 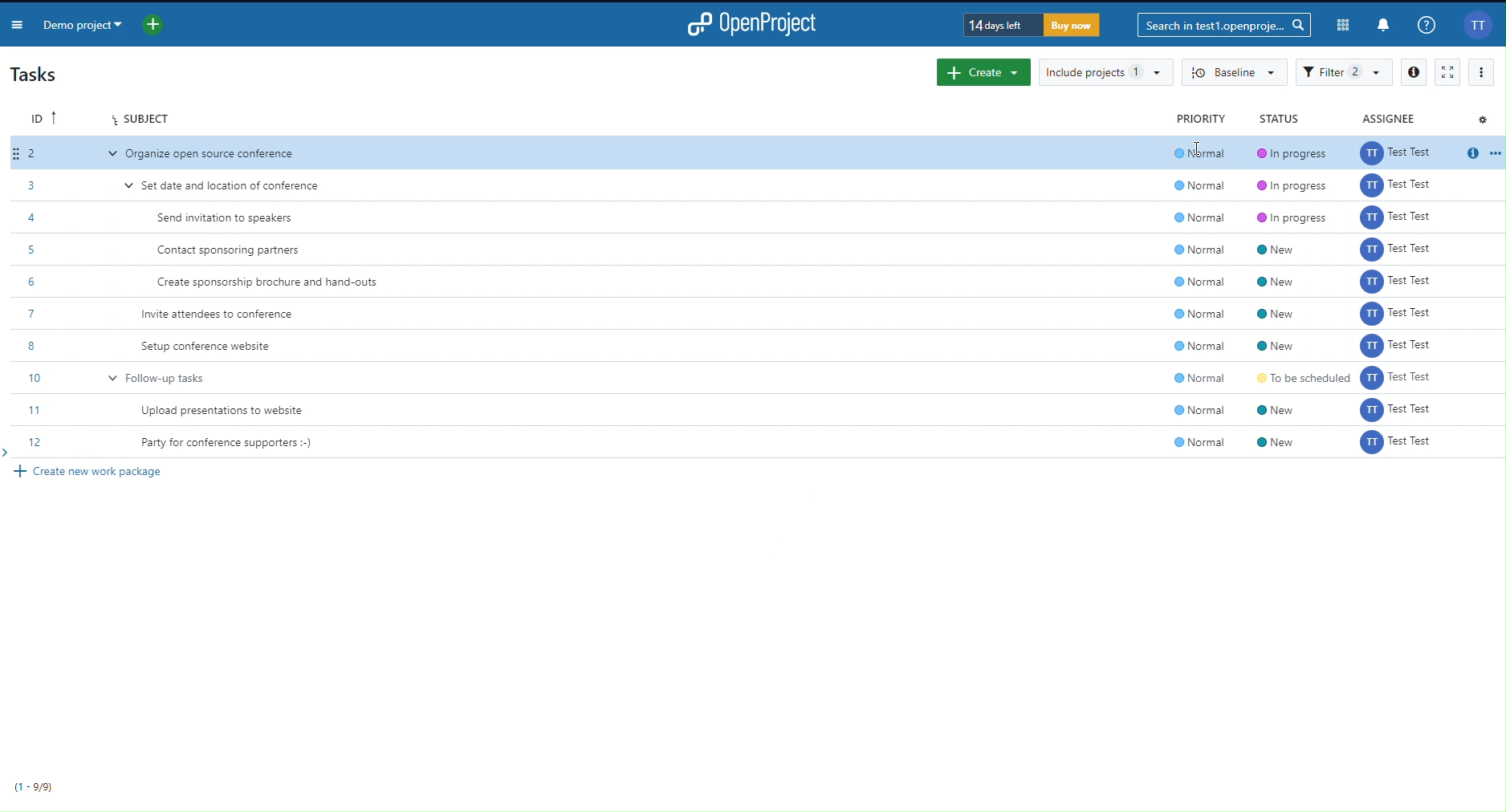 I want to click on a Send invitation to speakers @Normal  @ In progress @) st est, so click(x=758, y=217).